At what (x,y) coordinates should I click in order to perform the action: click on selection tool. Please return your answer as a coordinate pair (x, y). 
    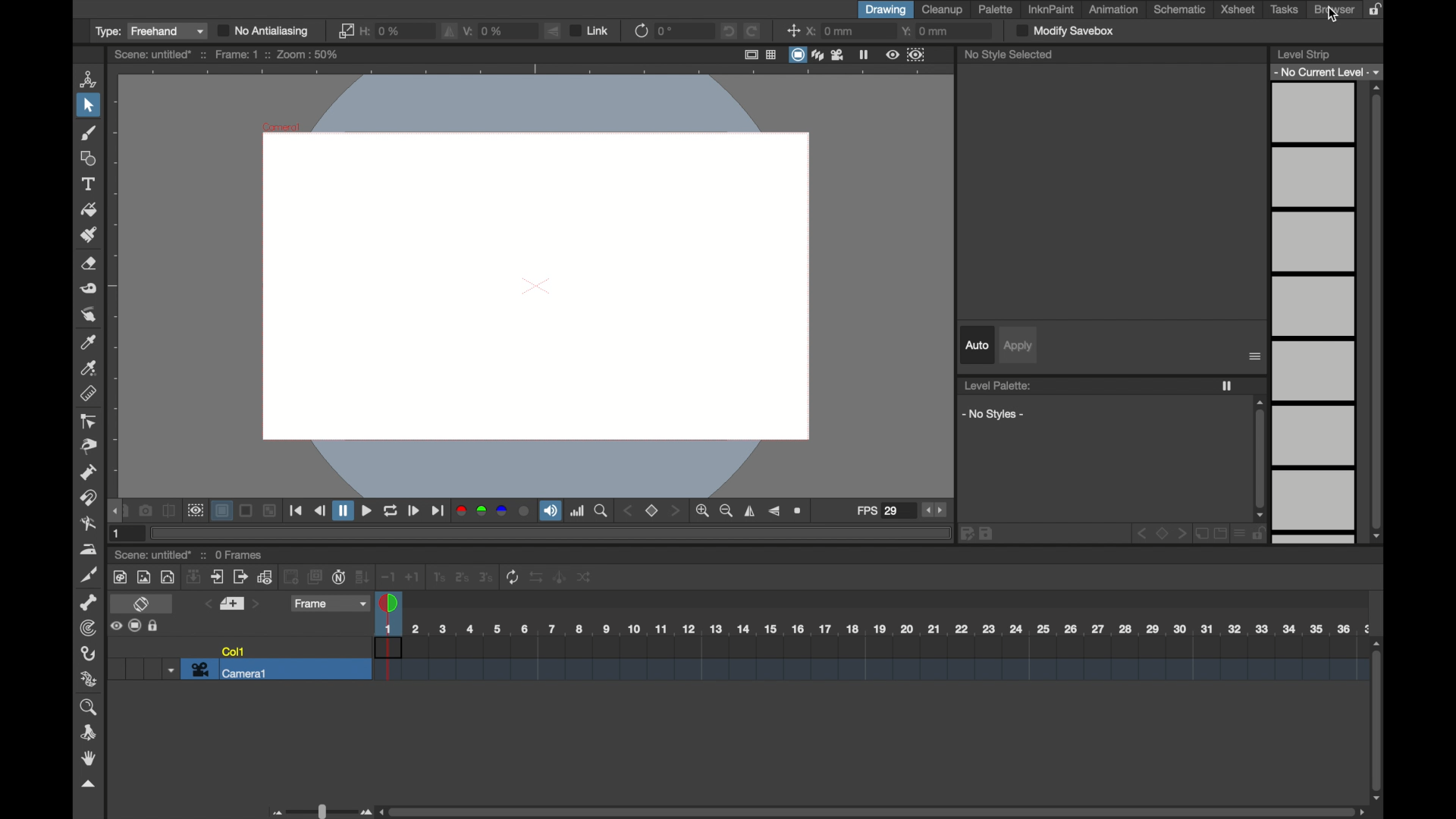
    Looking at the image, I should click on (89, 105).